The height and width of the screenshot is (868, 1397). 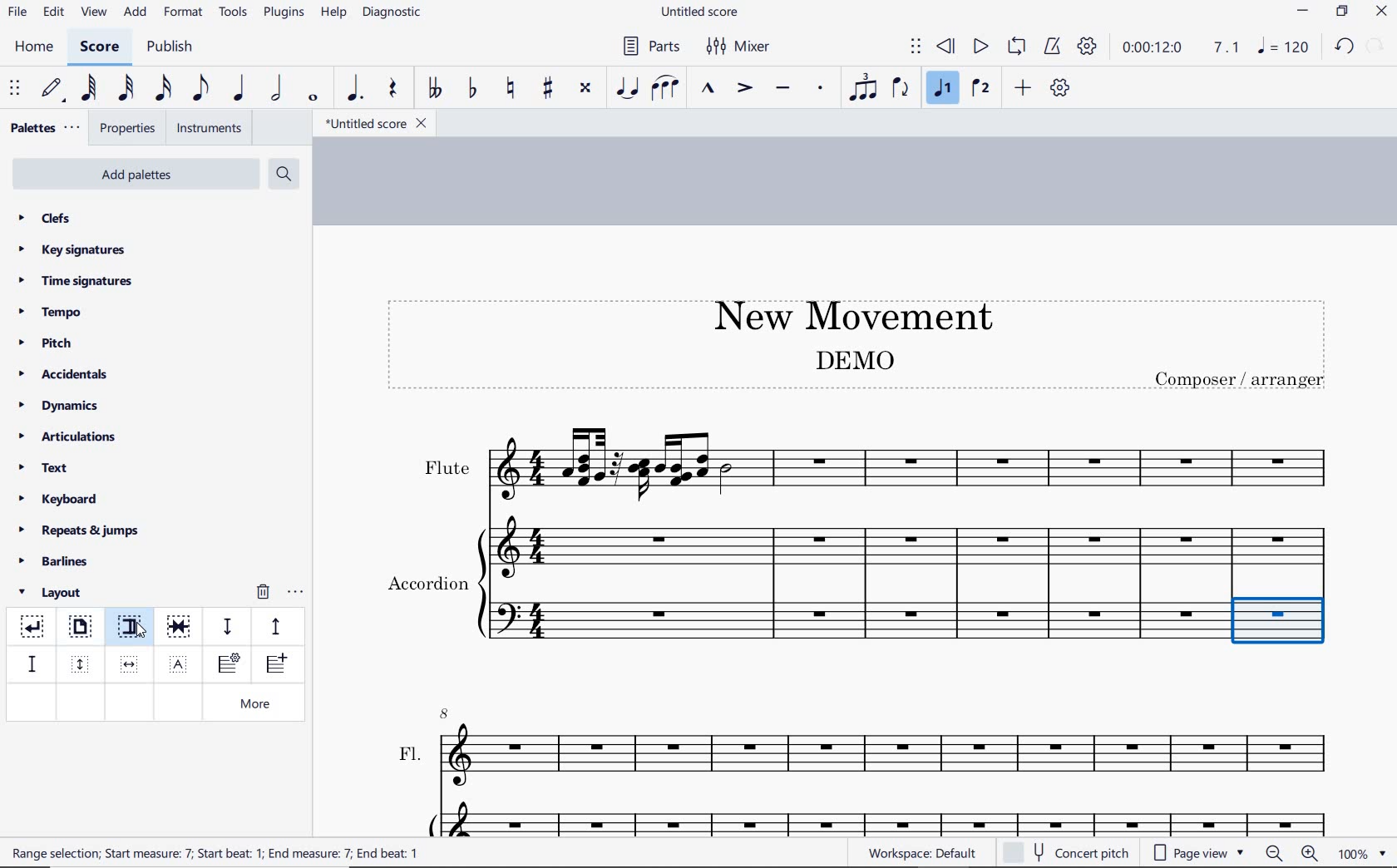 I want to click on file name, so click(x=374, y=124).